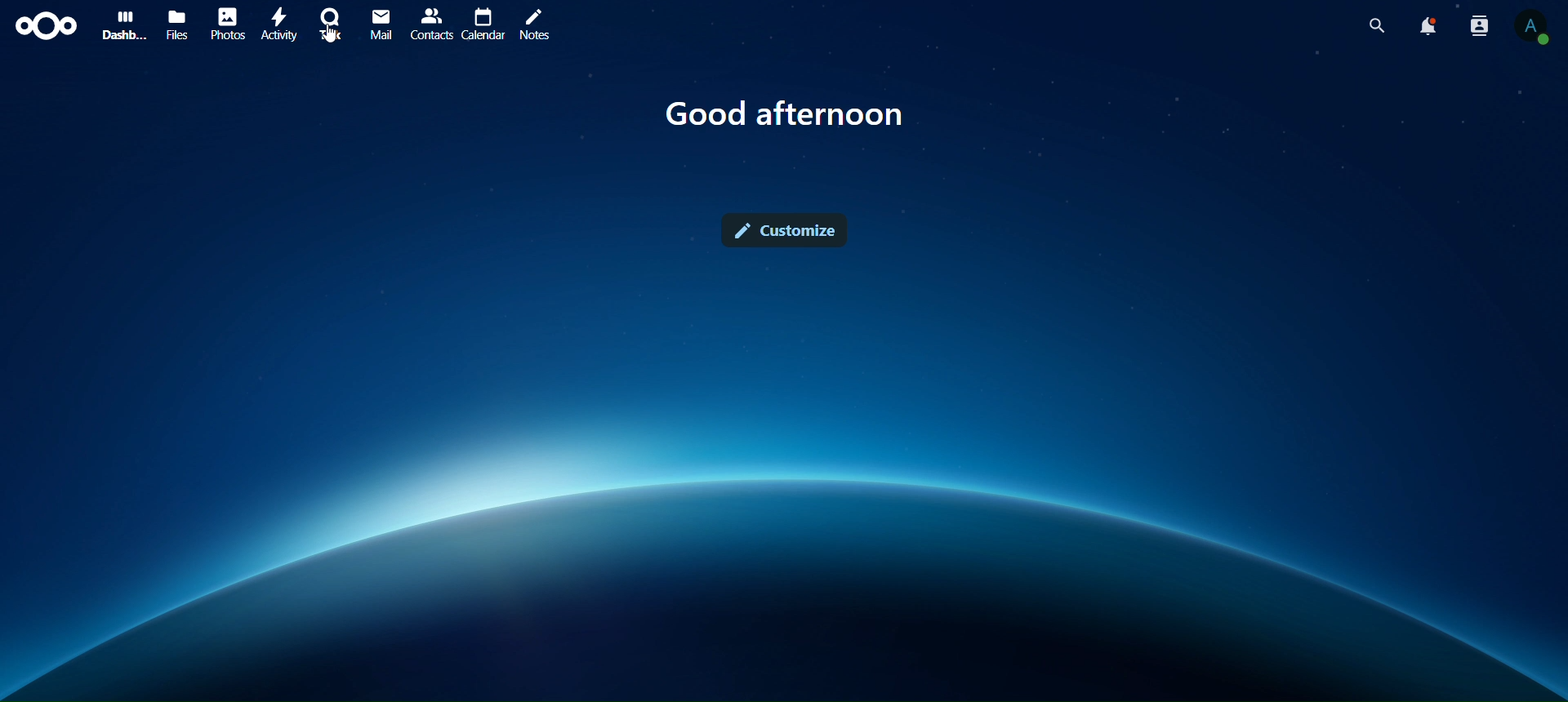 The width and height of the screenshot is (1568, 702). What do you see at coordinates (279, 24) in the screenshot?
I see `activity` at bounding box center [279, 24].